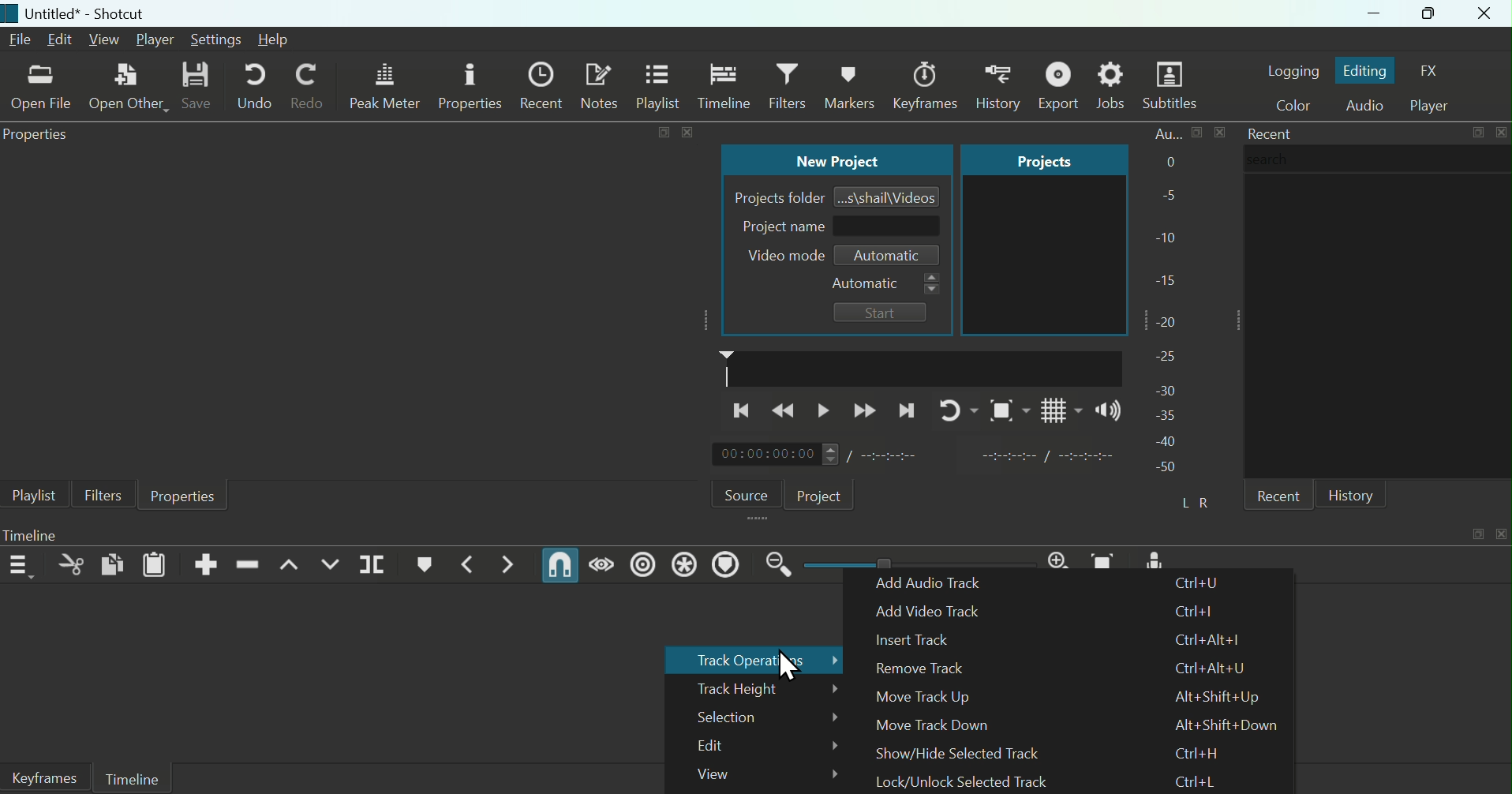 This screenshot has height=794, width=1512. Describe the element at coordinates (1358, 14) in the screenshot. I see `Minimize` at that location.